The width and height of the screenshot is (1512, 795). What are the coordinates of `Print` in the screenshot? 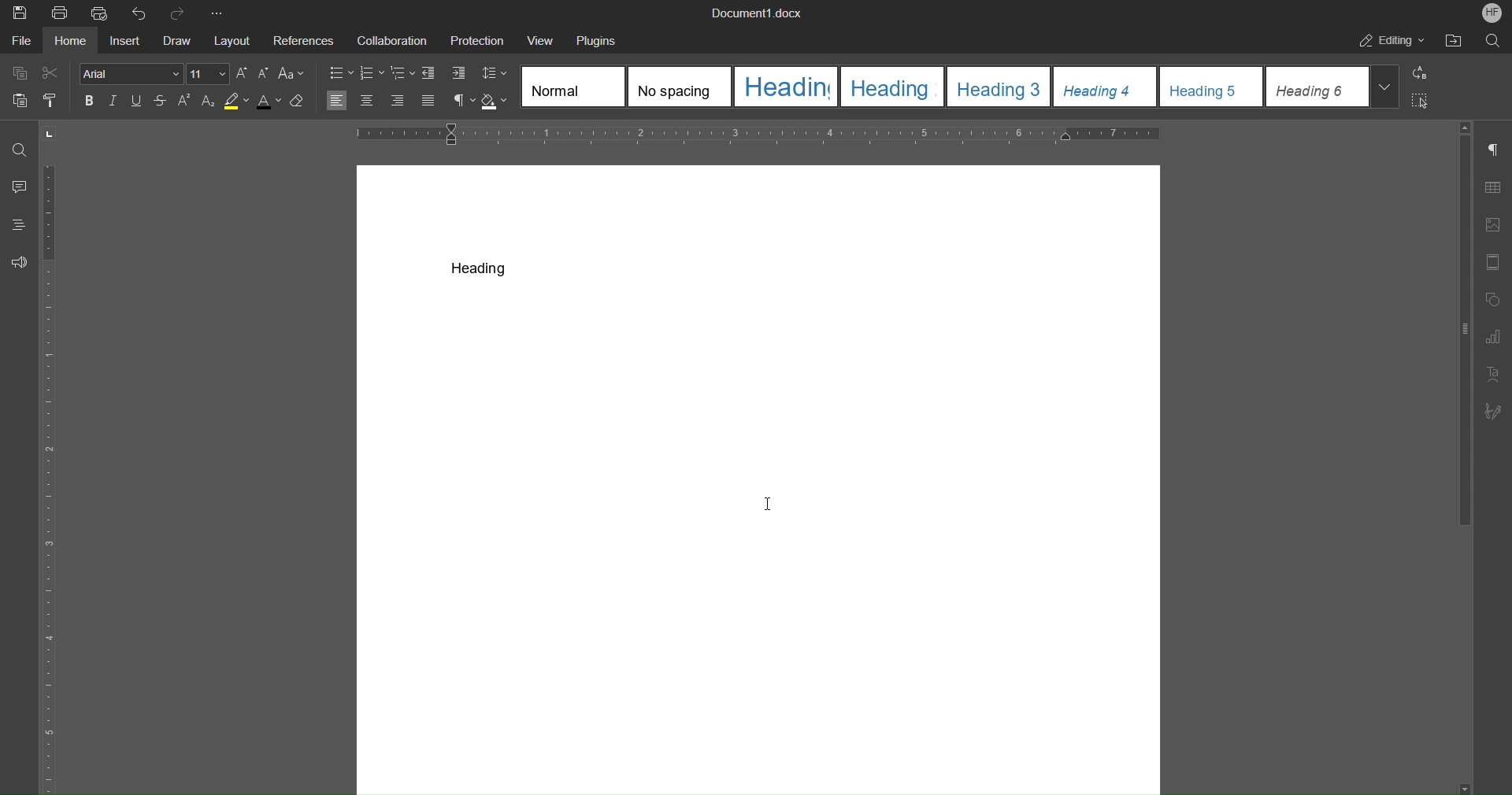 It's located at (64, 15).